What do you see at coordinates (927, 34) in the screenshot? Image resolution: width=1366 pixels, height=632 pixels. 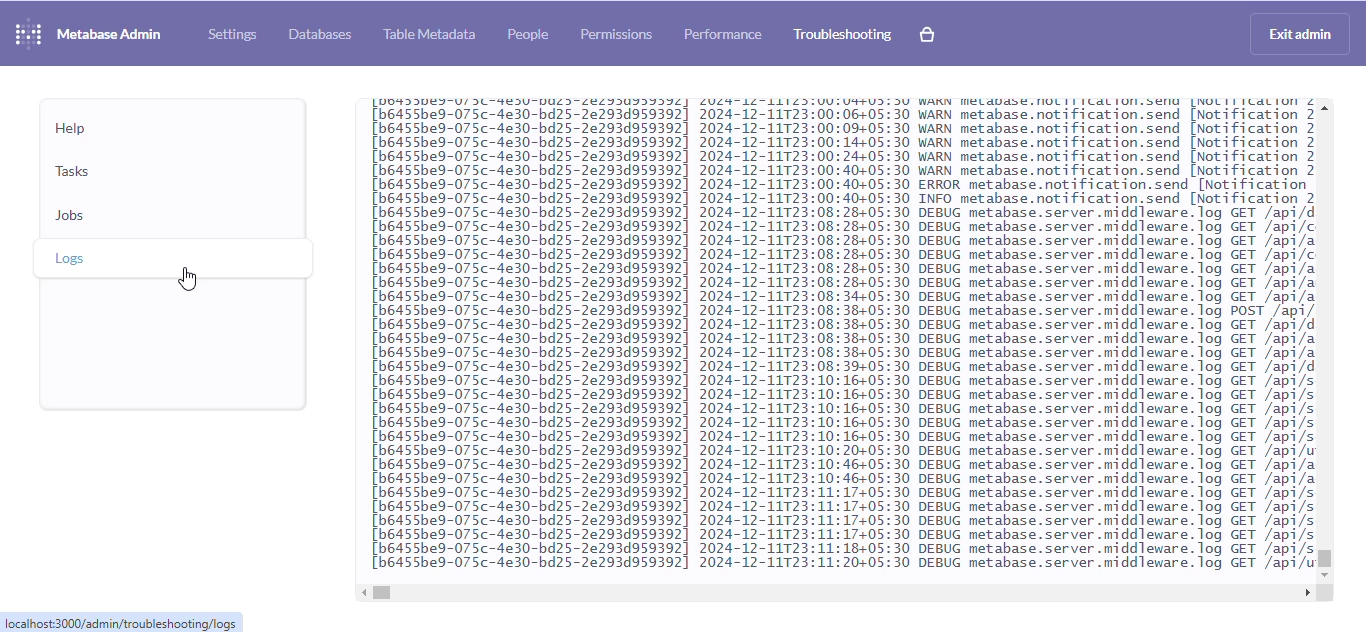 I see `explore paid features` at bounding box center [927, 34].